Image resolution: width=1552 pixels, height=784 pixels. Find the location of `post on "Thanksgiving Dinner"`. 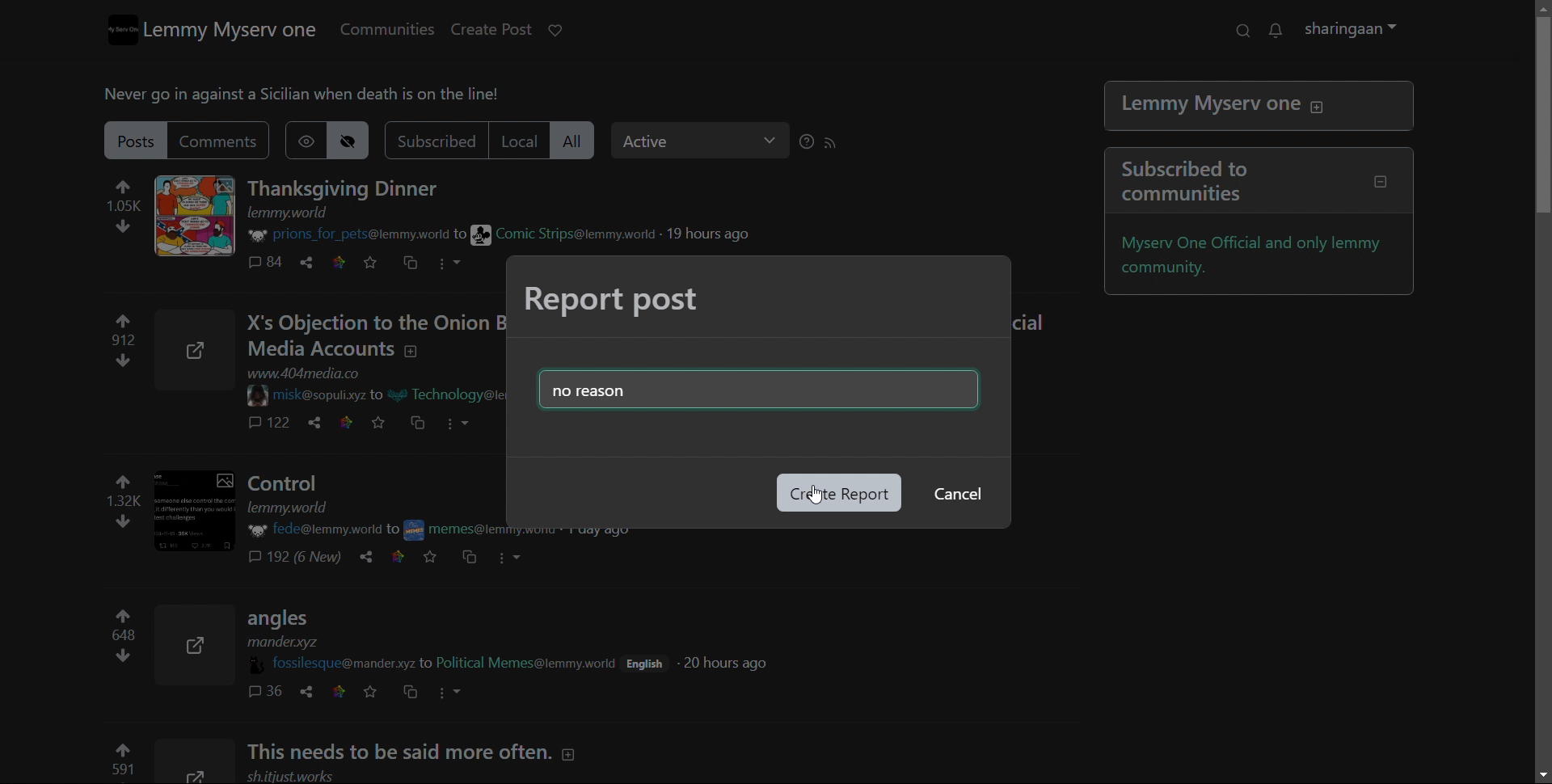

post on "Thanksgiving Dinner" is located at coordinates (353, 189).